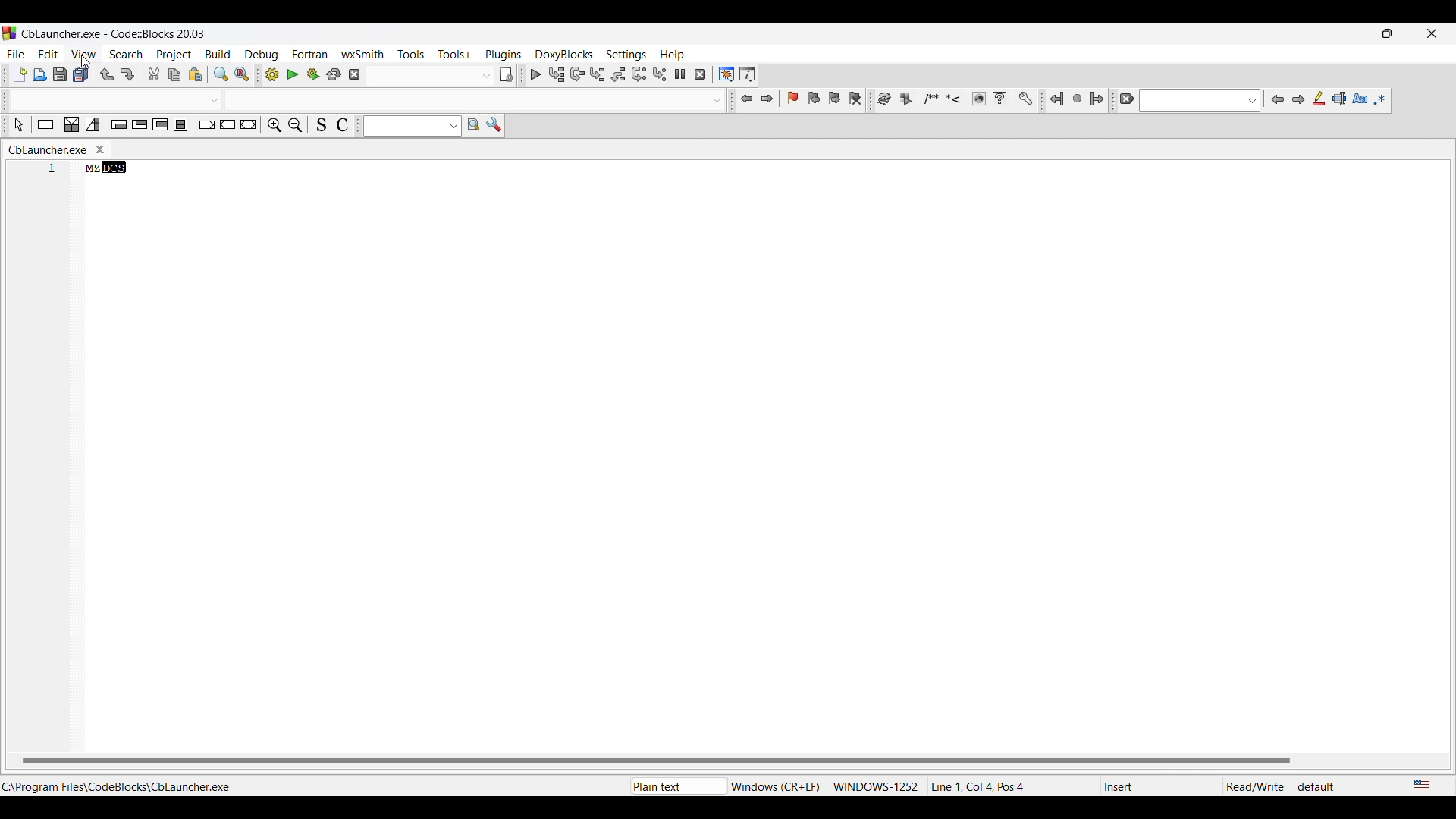  What do you see at coordinates (504, 55) in the screenshot?
I see `Plugins menu` at bounding box center [504, 55].